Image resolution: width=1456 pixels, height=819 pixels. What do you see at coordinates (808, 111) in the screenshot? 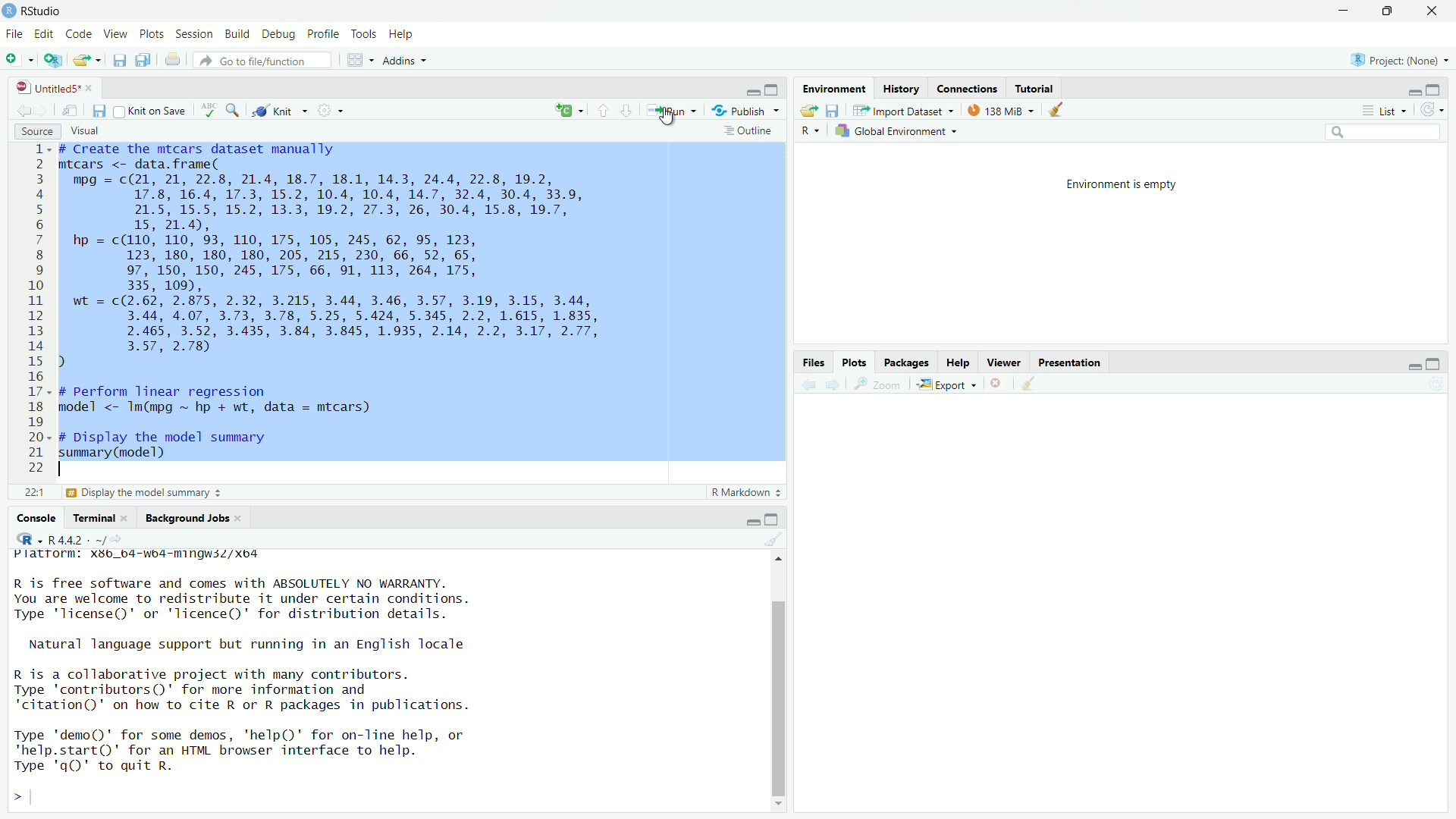
I see `open` at bounding box center [808, 111].